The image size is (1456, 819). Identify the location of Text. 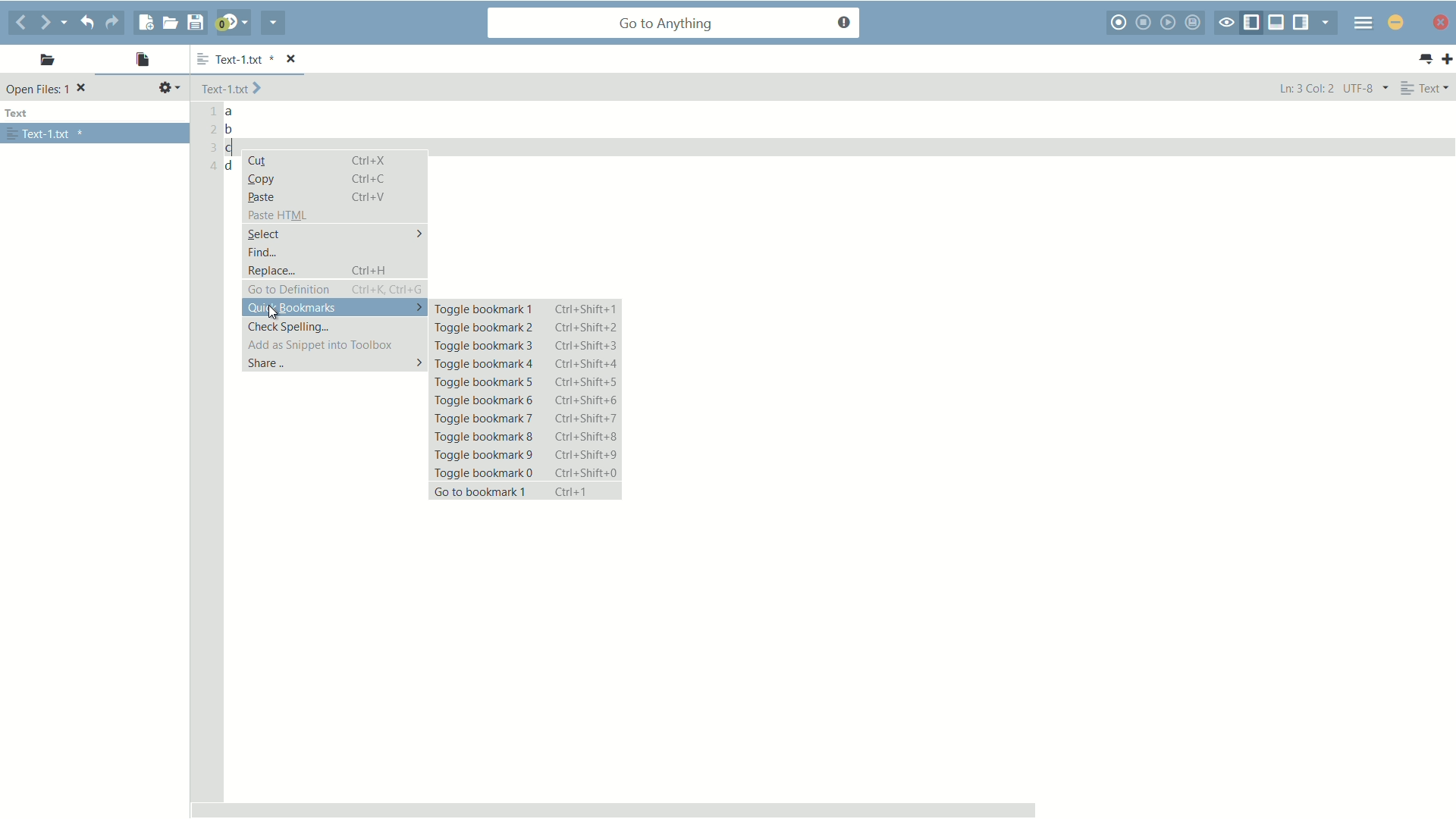
(1427, 88).